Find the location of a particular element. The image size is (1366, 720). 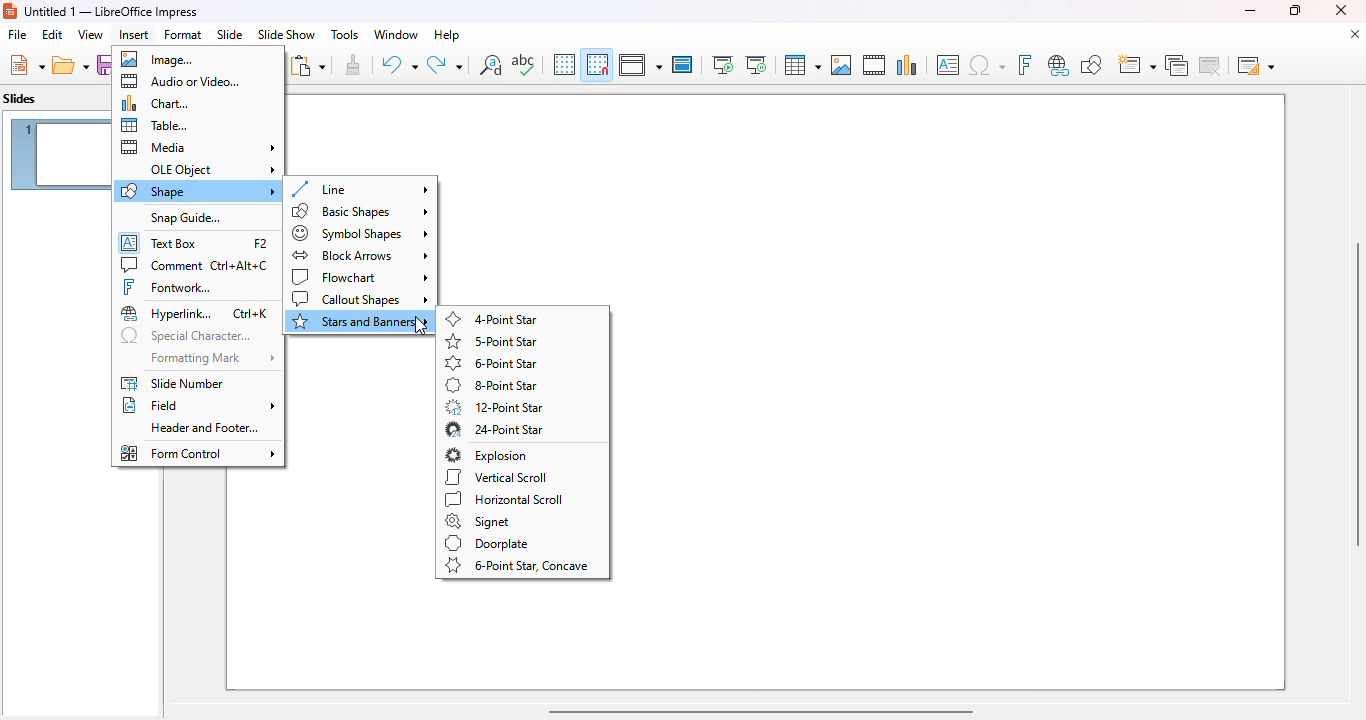

insert audio or video is located at coordinates (874, 64).